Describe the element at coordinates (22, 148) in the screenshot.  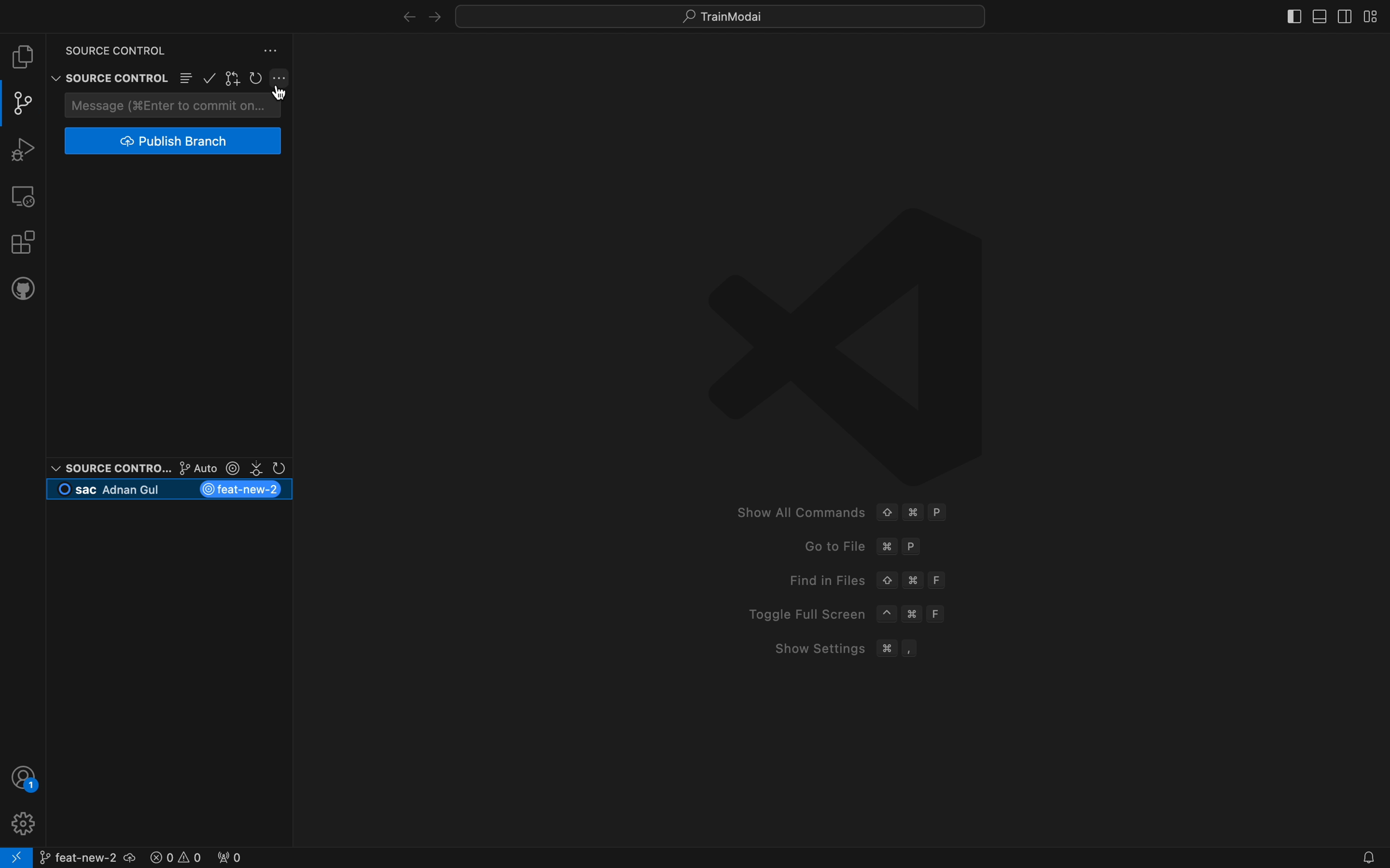
I see `debugger` at that location.